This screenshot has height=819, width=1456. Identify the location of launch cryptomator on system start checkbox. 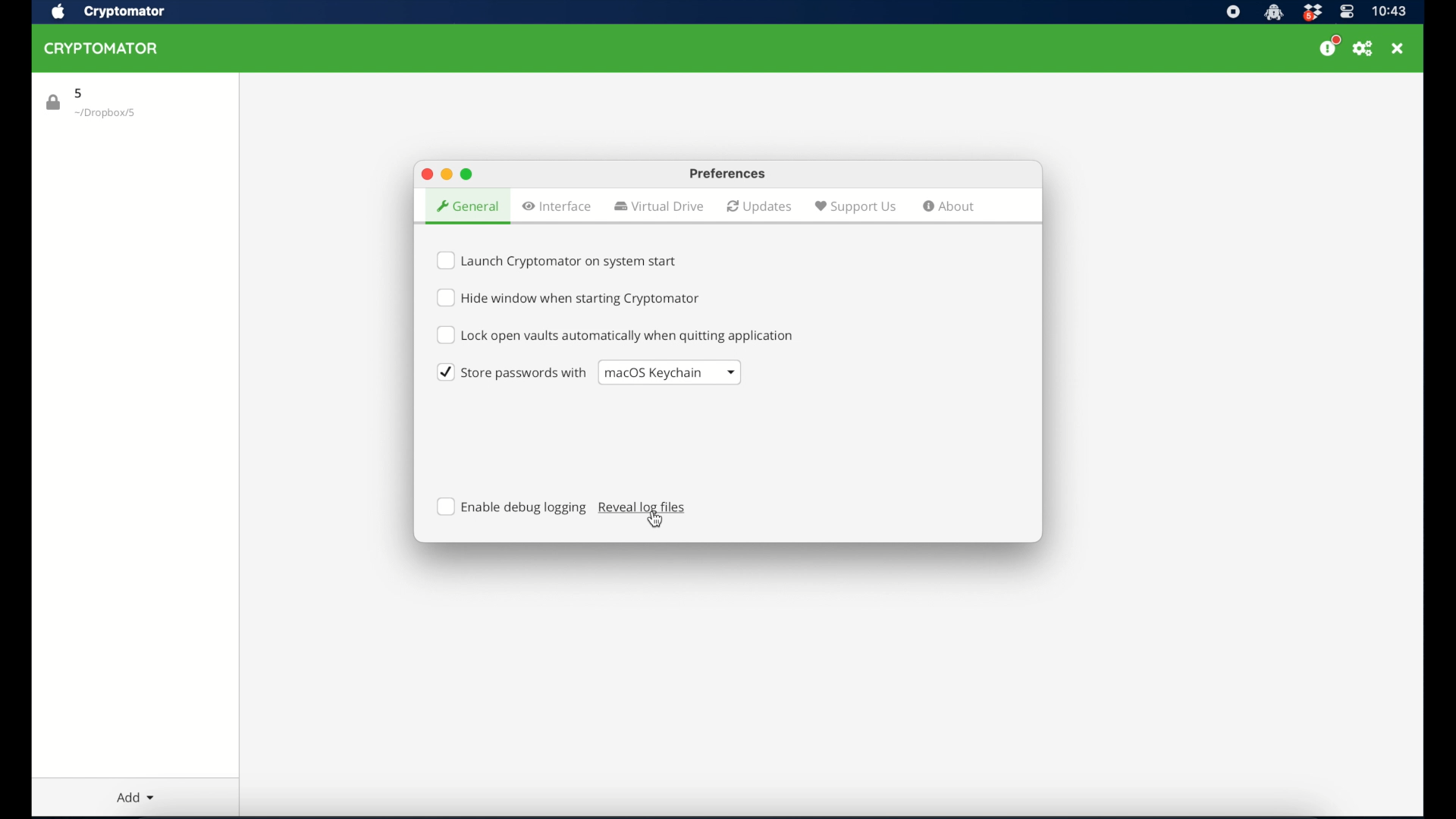
(559, 261).